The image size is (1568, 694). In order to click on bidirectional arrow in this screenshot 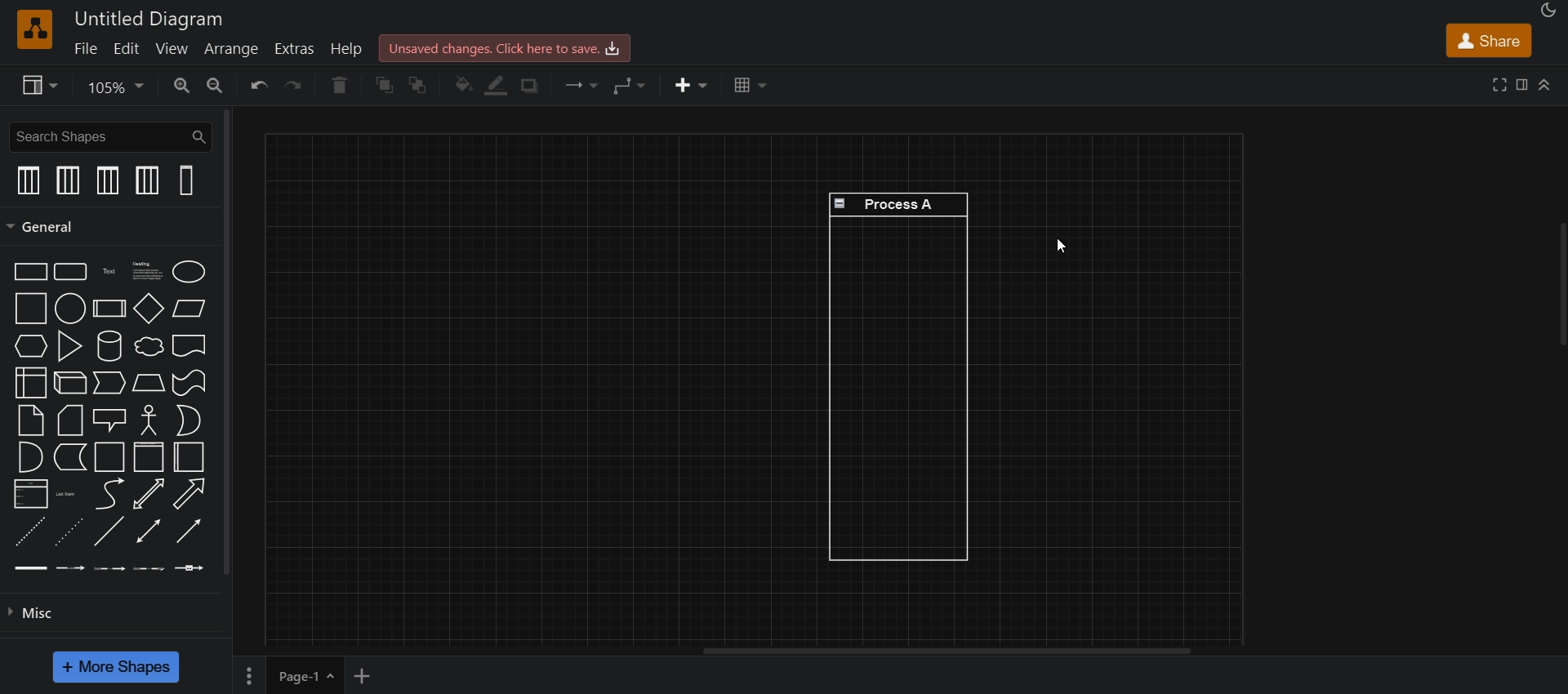, I will do `click(148, 495)`.